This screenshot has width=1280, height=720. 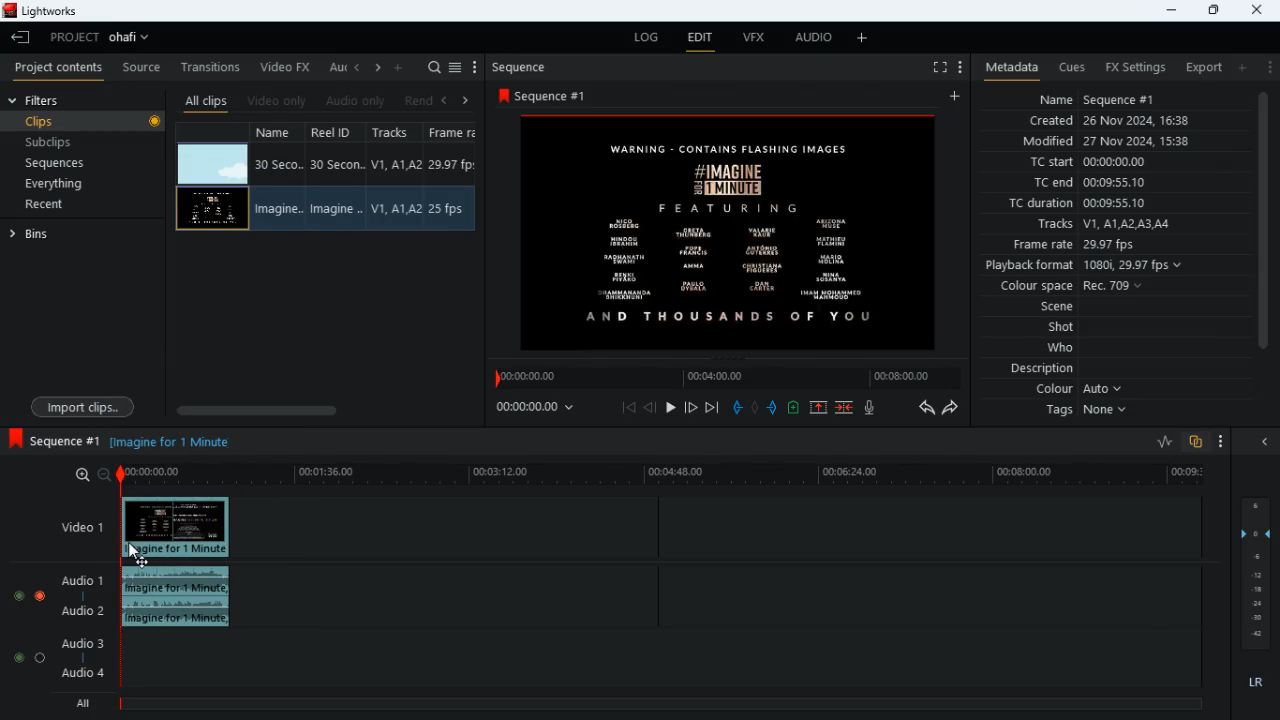 What do you see at coordinates (639, 40) in the screenshot?
I see `log` at bounding box center [639, 40].